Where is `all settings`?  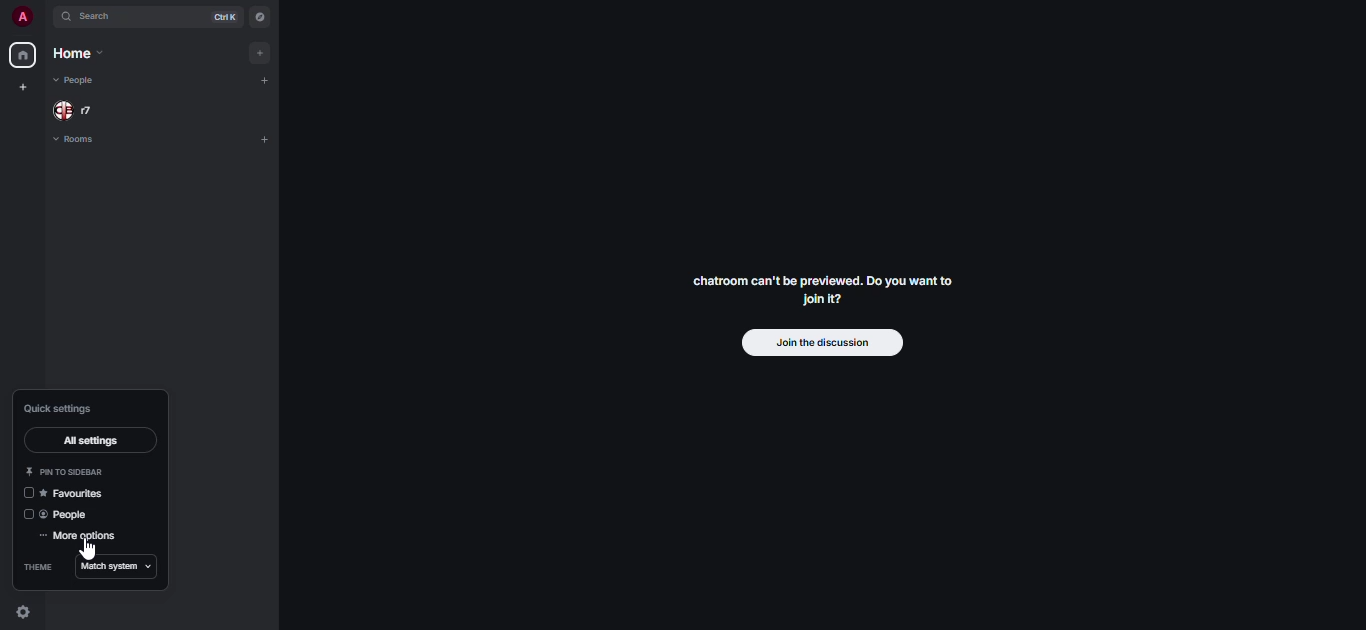
all settings is located at coordinates (94, 442).